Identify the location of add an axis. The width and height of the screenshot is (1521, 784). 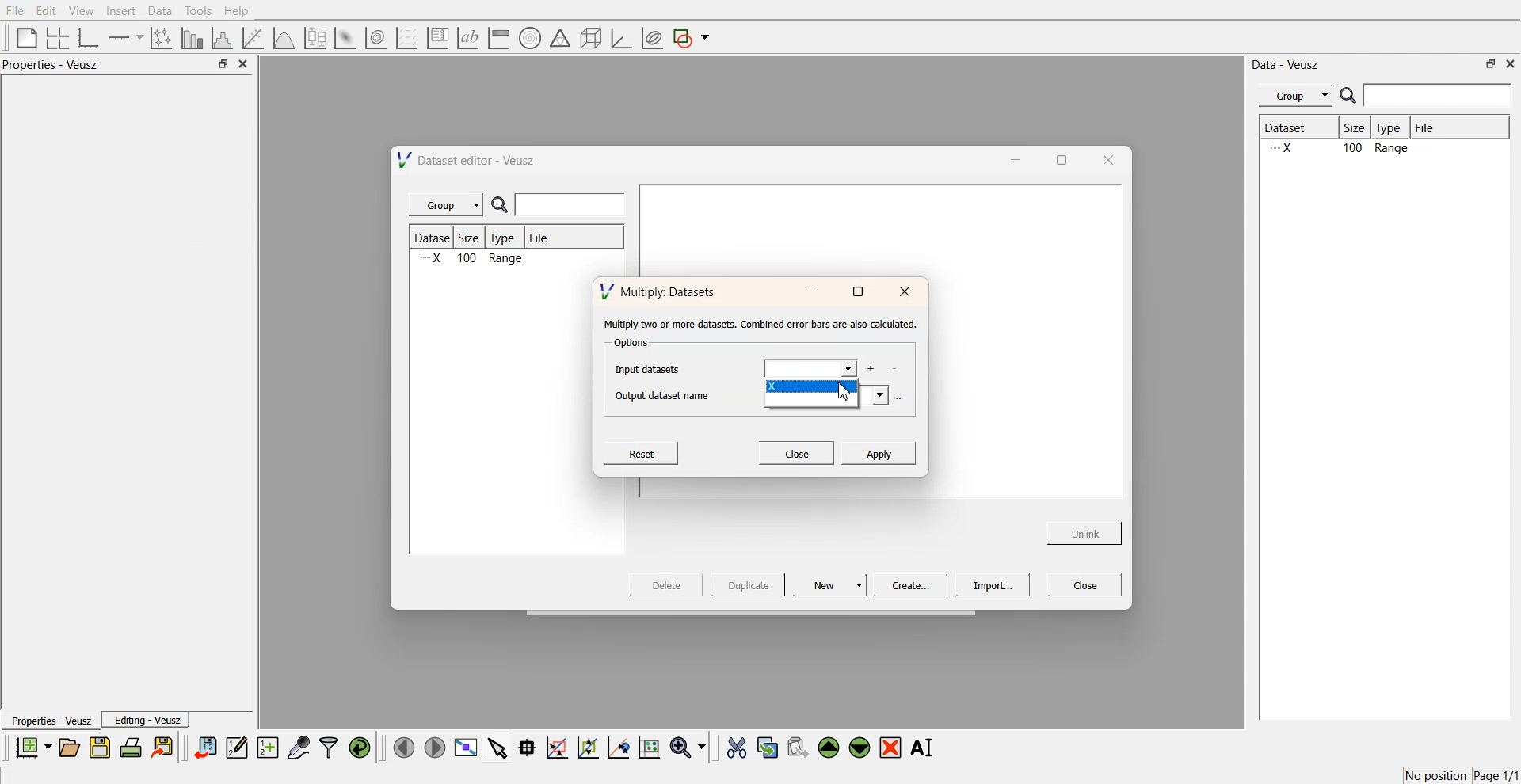
(127, 37).